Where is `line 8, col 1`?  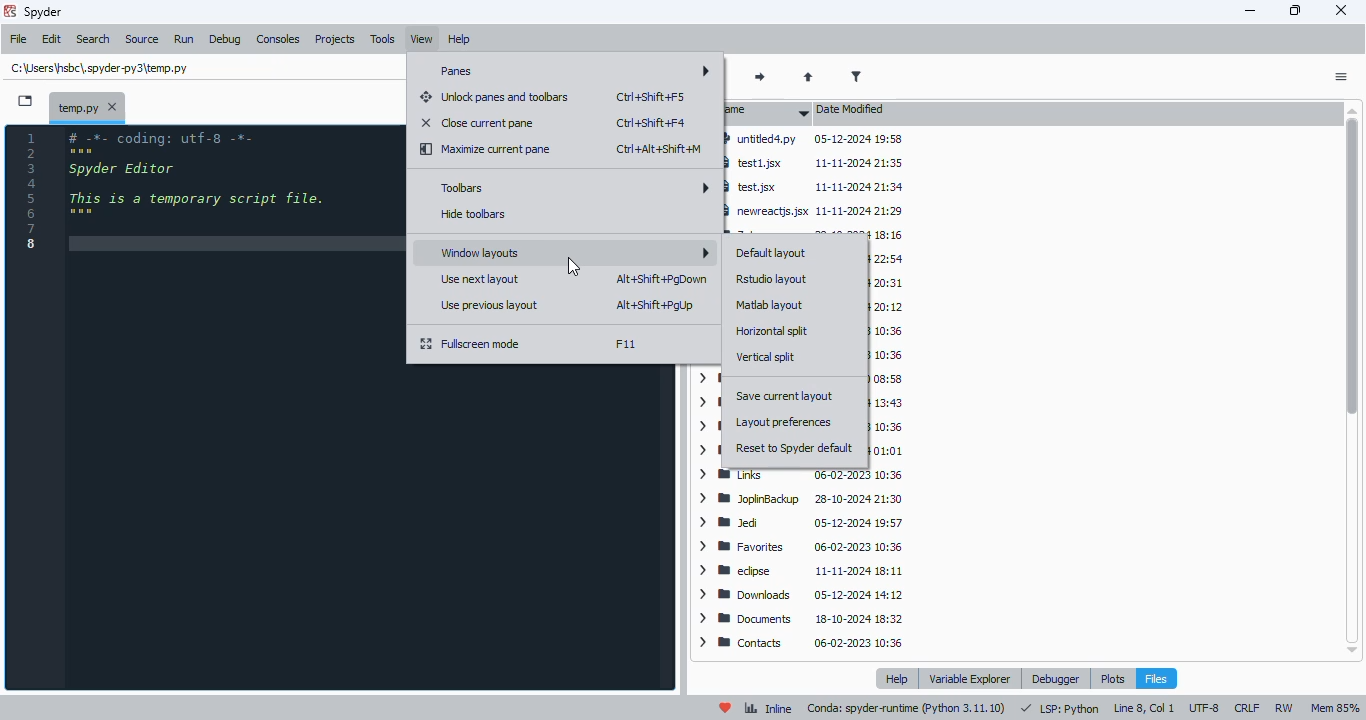
line 8, col 1 is located at coordinates (1145, 708).